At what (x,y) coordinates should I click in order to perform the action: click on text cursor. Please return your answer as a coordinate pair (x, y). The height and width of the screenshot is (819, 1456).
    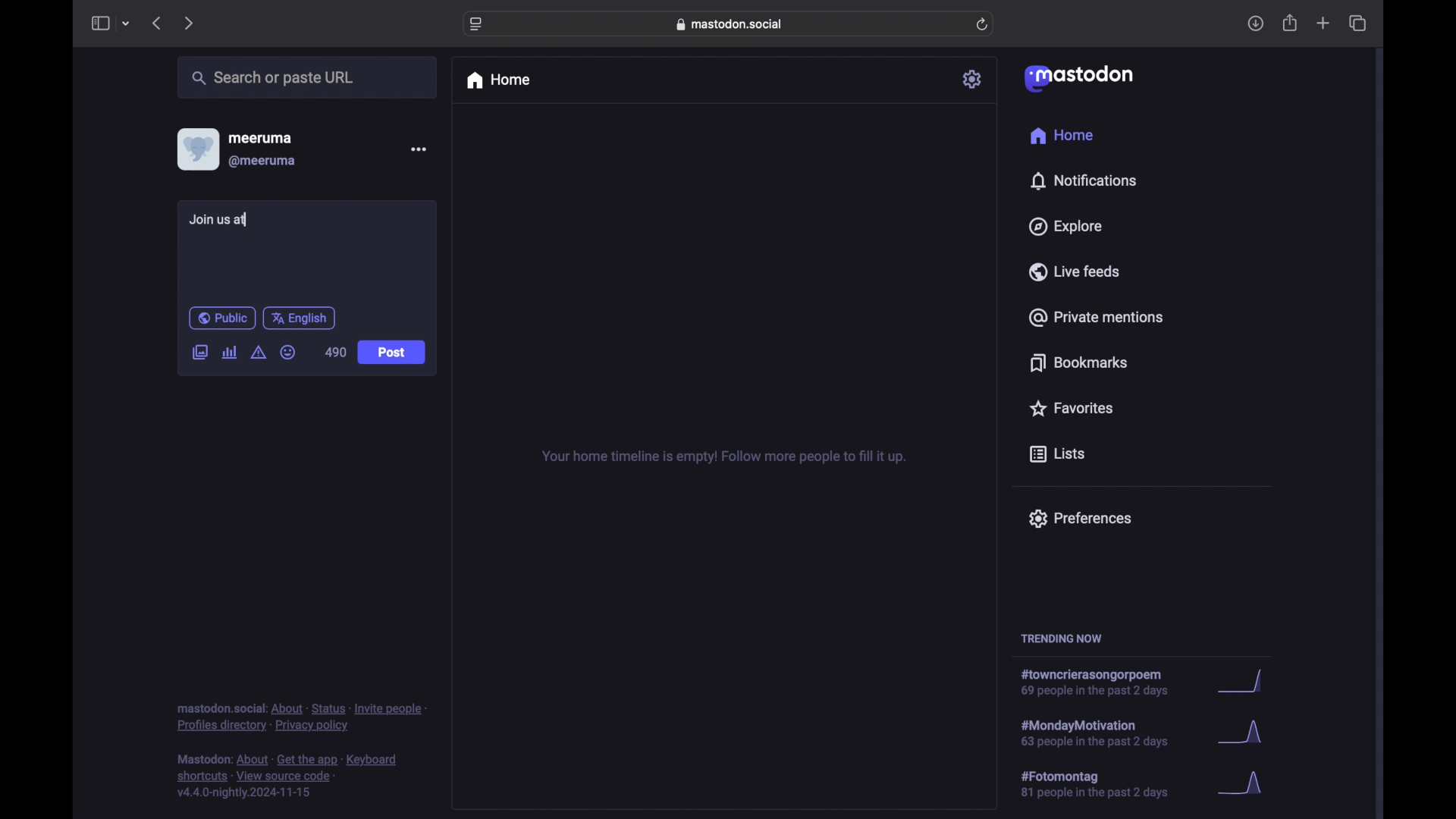
    Looking at the image, I should click on (247, 219).